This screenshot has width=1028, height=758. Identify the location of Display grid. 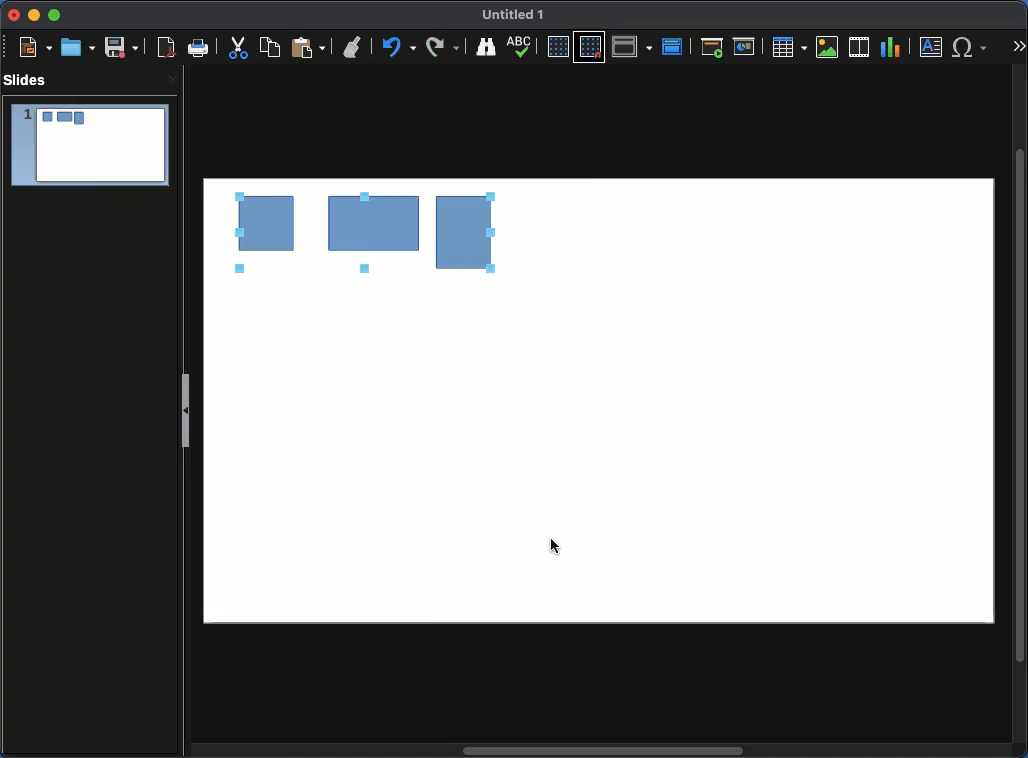
(556, 47).